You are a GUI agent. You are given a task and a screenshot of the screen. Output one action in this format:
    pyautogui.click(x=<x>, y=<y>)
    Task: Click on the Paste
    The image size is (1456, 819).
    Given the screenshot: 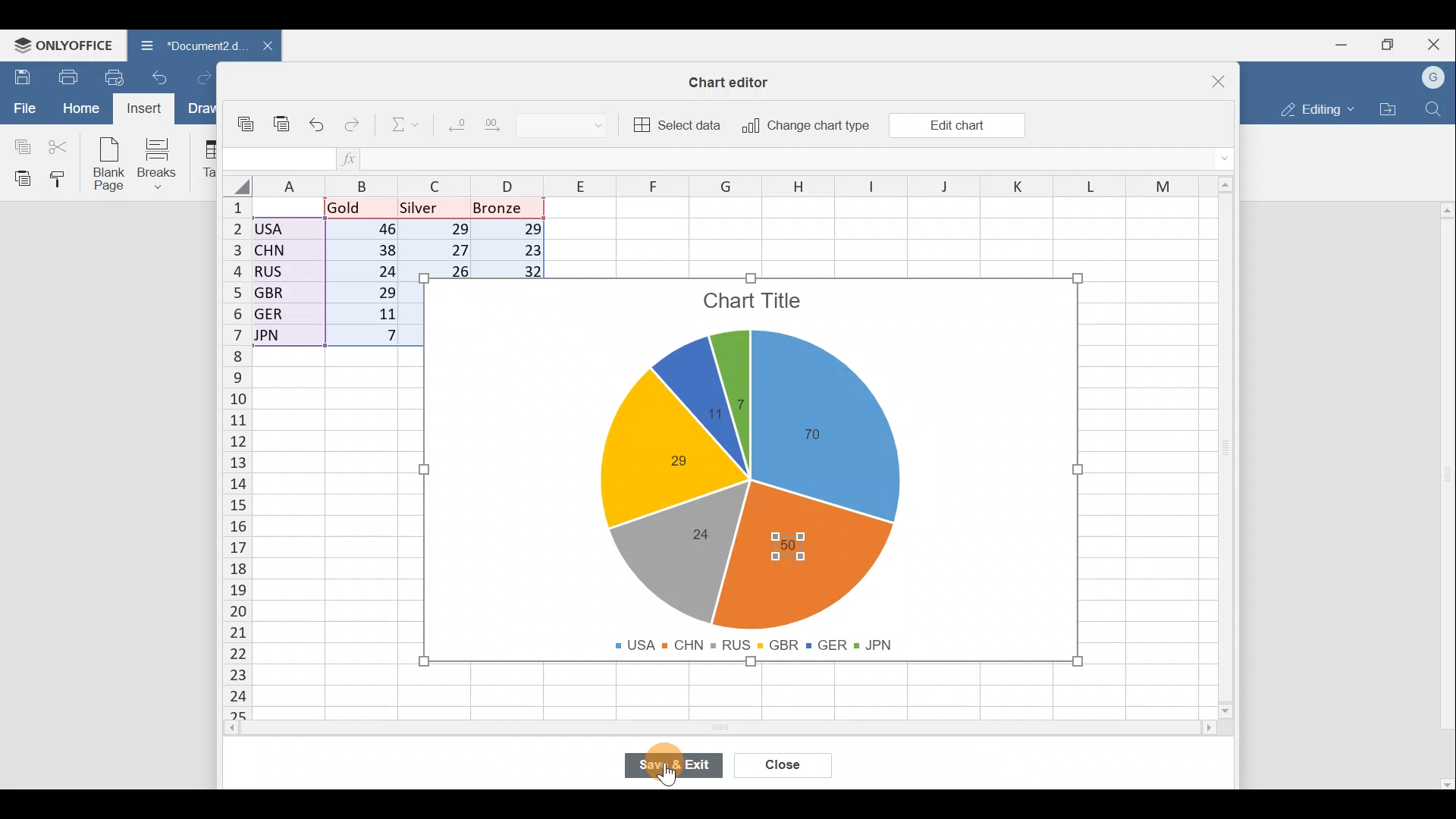 What is the action you would take?
    pyautogui.click(x=19, y=177)
    